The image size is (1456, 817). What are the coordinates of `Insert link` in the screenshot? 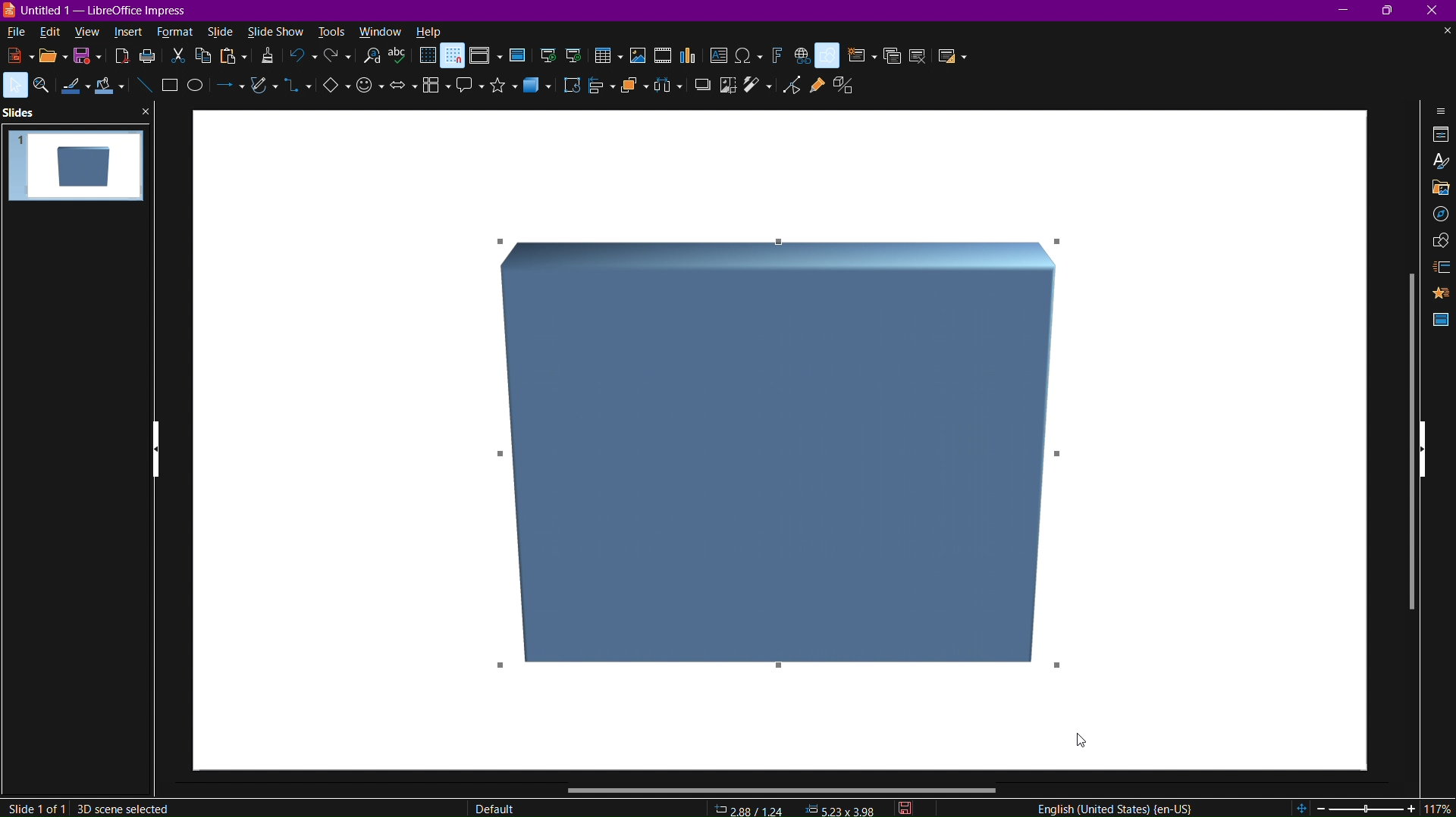 It's located at (802, 56).